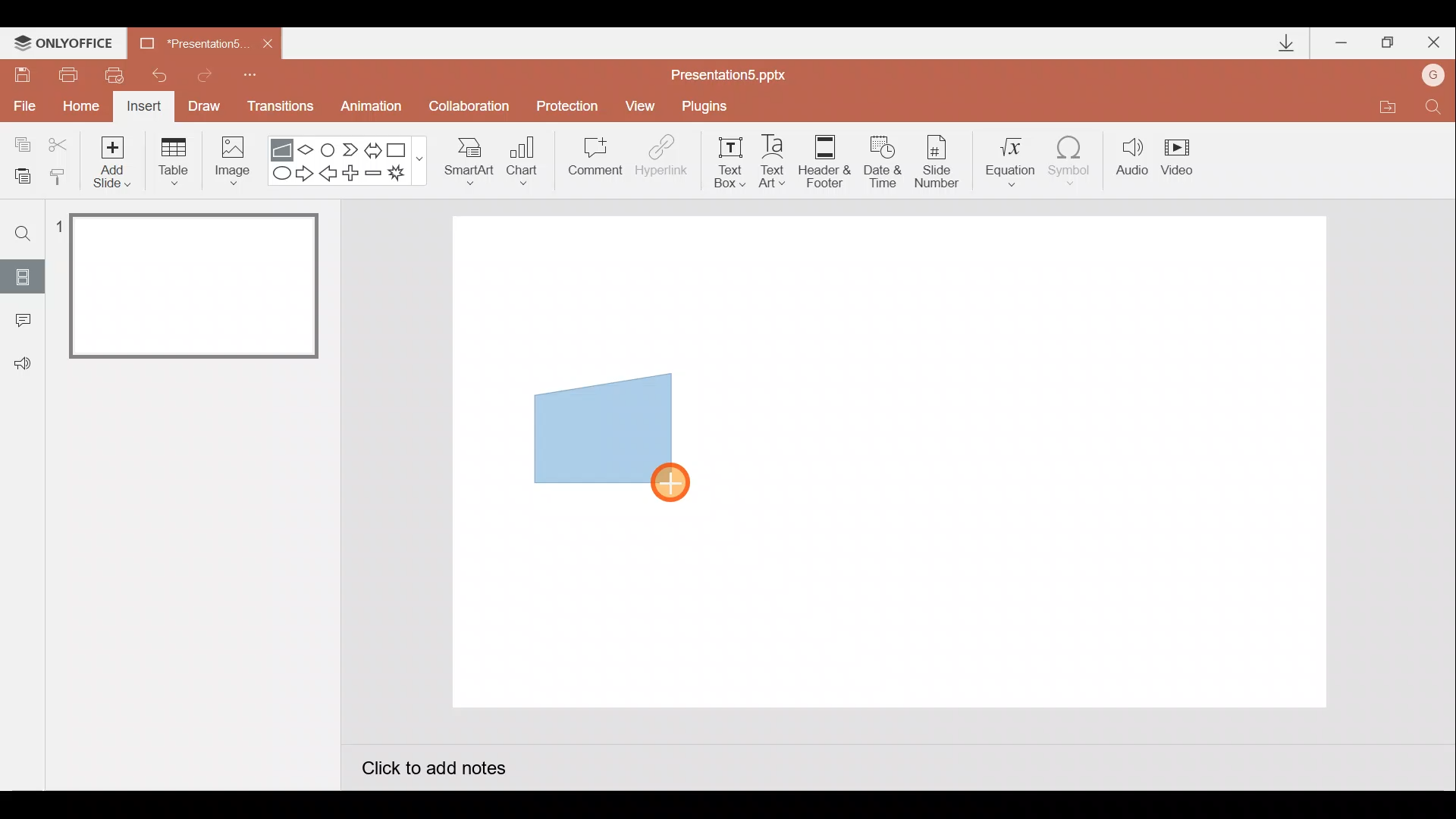  What do you see at coordinates (22, 276) in the screenshot?
I see `Slides` at bounding box center [22, 276].